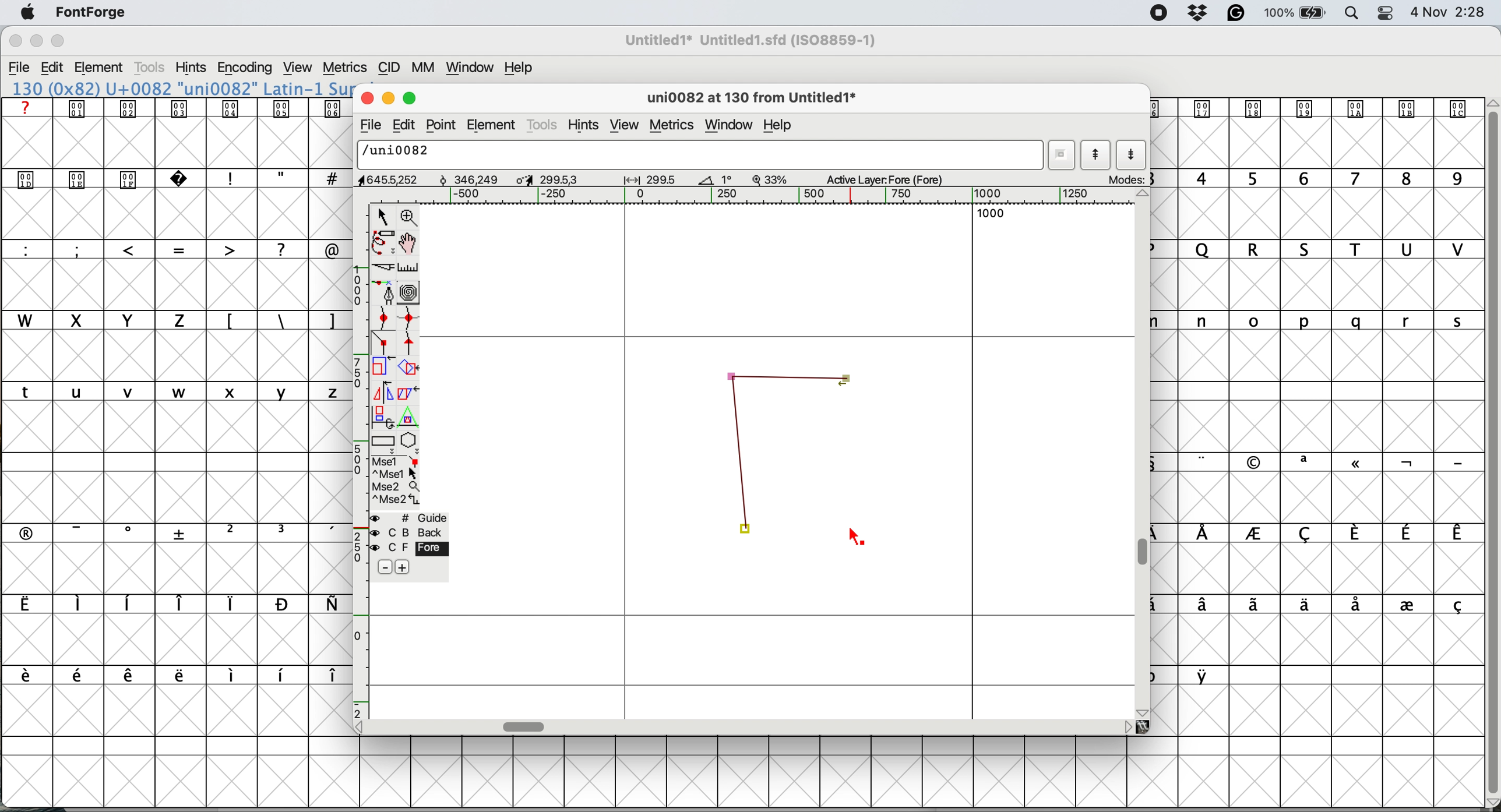 This screenshot has width=1501, height=812. What do you see at coordinates (1327, 321) in the screenshot?
I see `lowercase letters` at bounding box center [1327, 321].